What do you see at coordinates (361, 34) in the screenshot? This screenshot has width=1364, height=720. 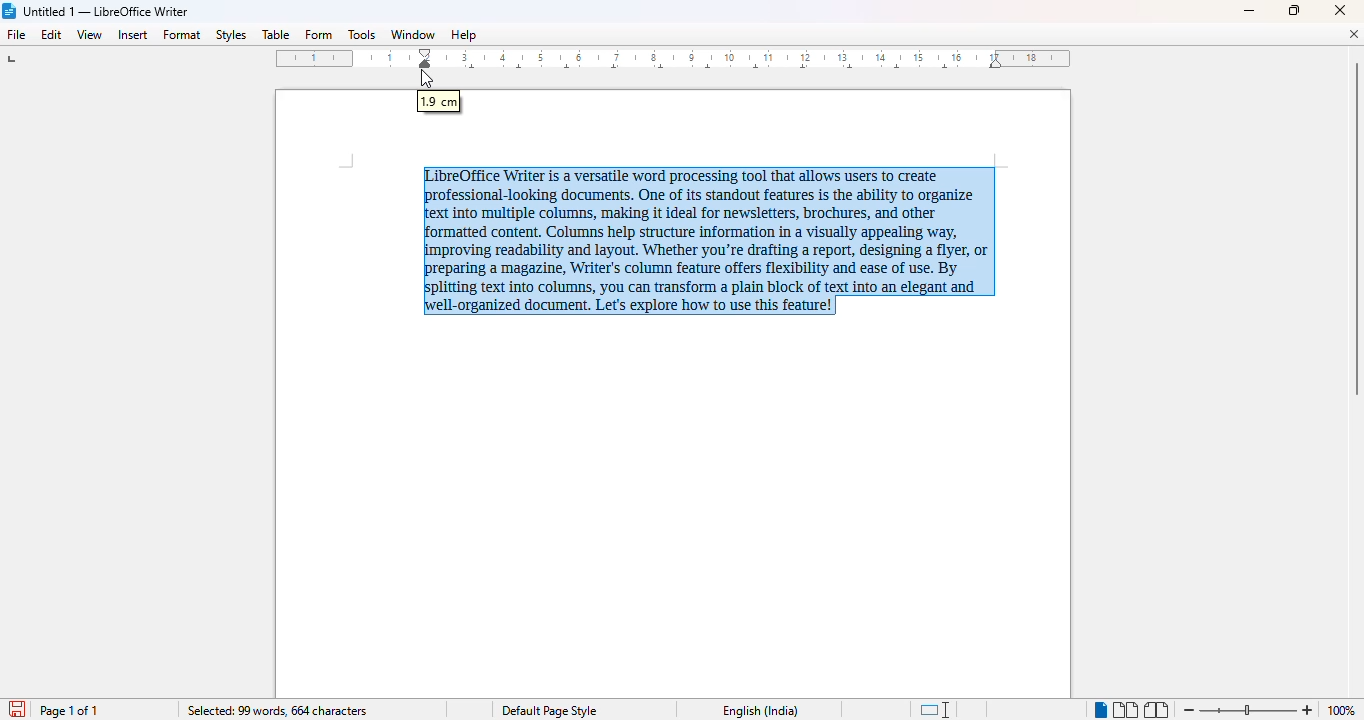 I see `tools` at bounding box center [361, 34].